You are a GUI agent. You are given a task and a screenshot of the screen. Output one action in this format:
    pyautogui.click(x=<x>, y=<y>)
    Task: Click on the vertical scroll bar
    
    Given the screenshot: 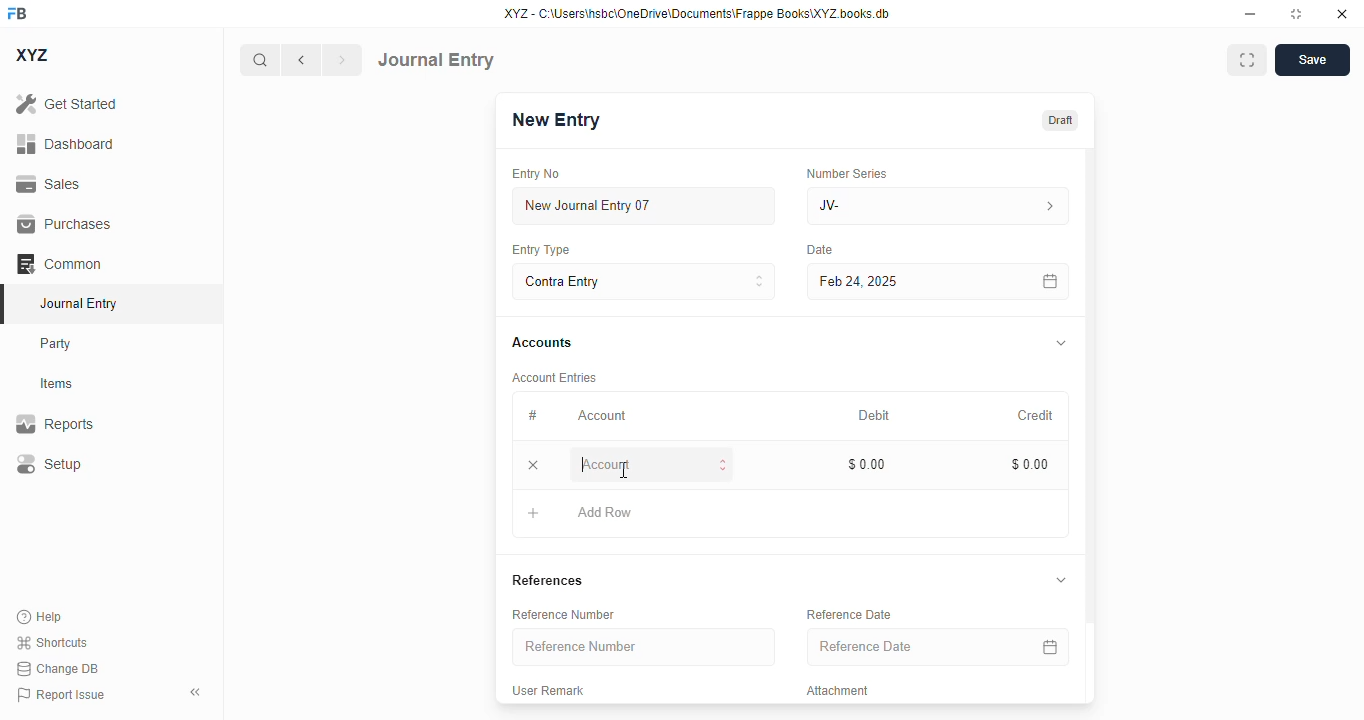 What is the action you would take?
    pyautogui.click(x=1090, y=426)
    